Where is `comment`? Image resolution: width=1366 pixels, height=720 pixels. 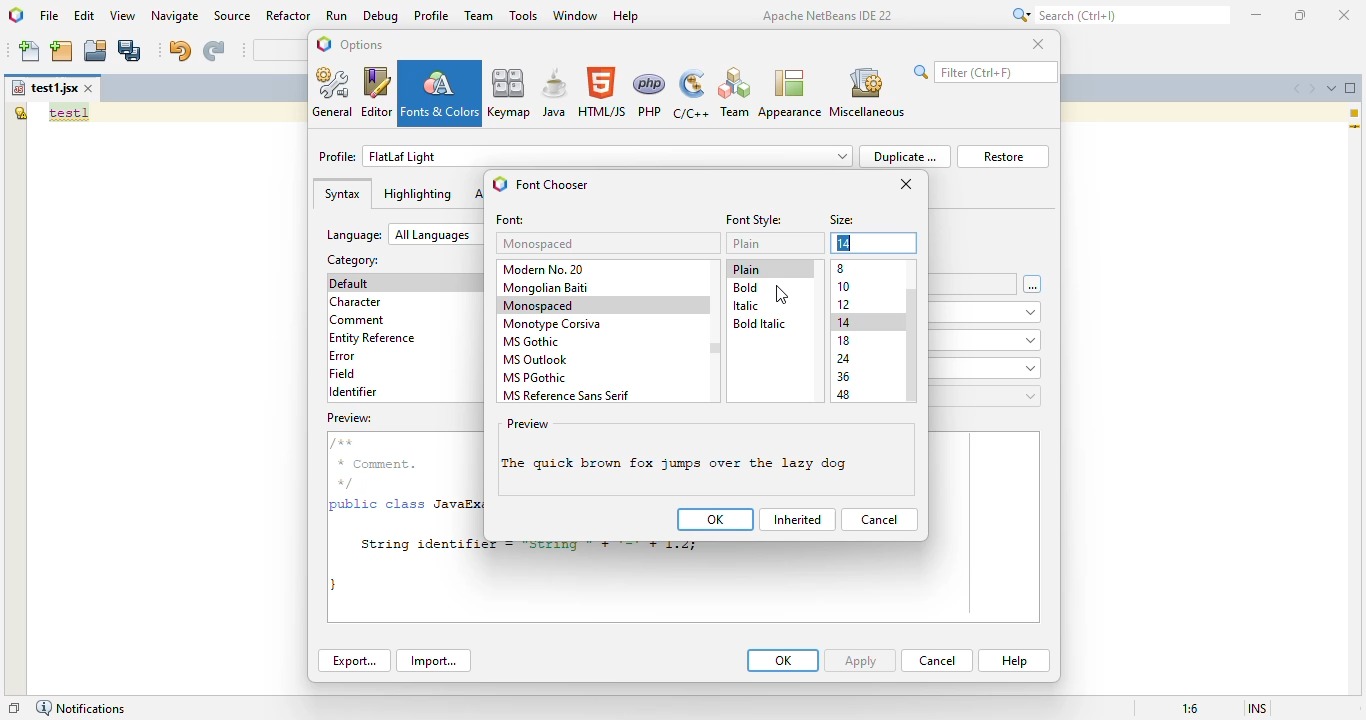 comment is located at coordinates (359, 320).